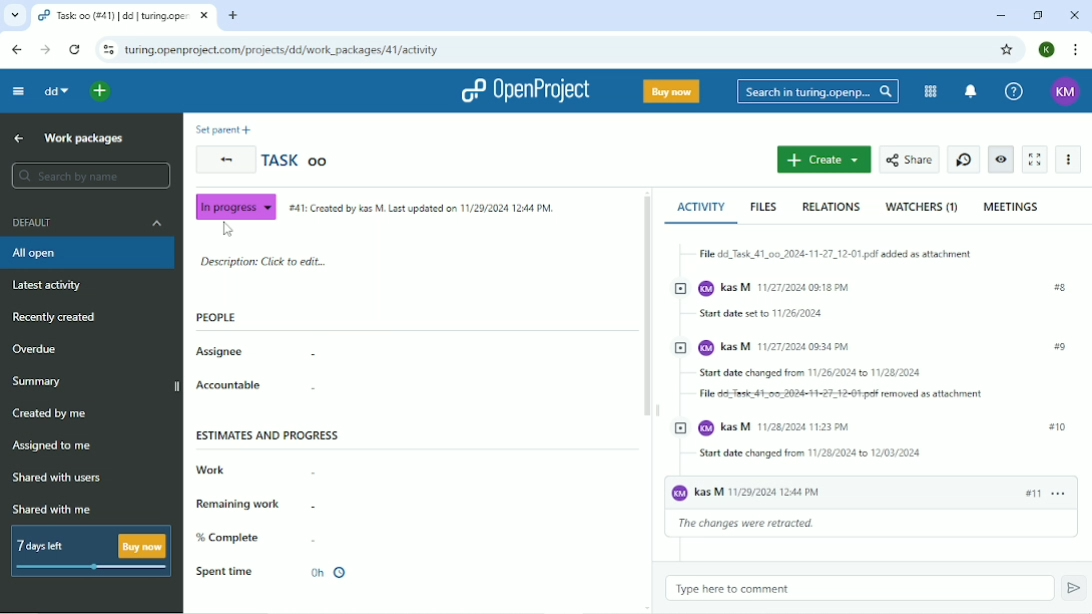 Image resolution: width=1092 pixels, height=614 pixels. Describe the element at coordinates (55, 317) in the screenshot. I see `Recently created` at that location.